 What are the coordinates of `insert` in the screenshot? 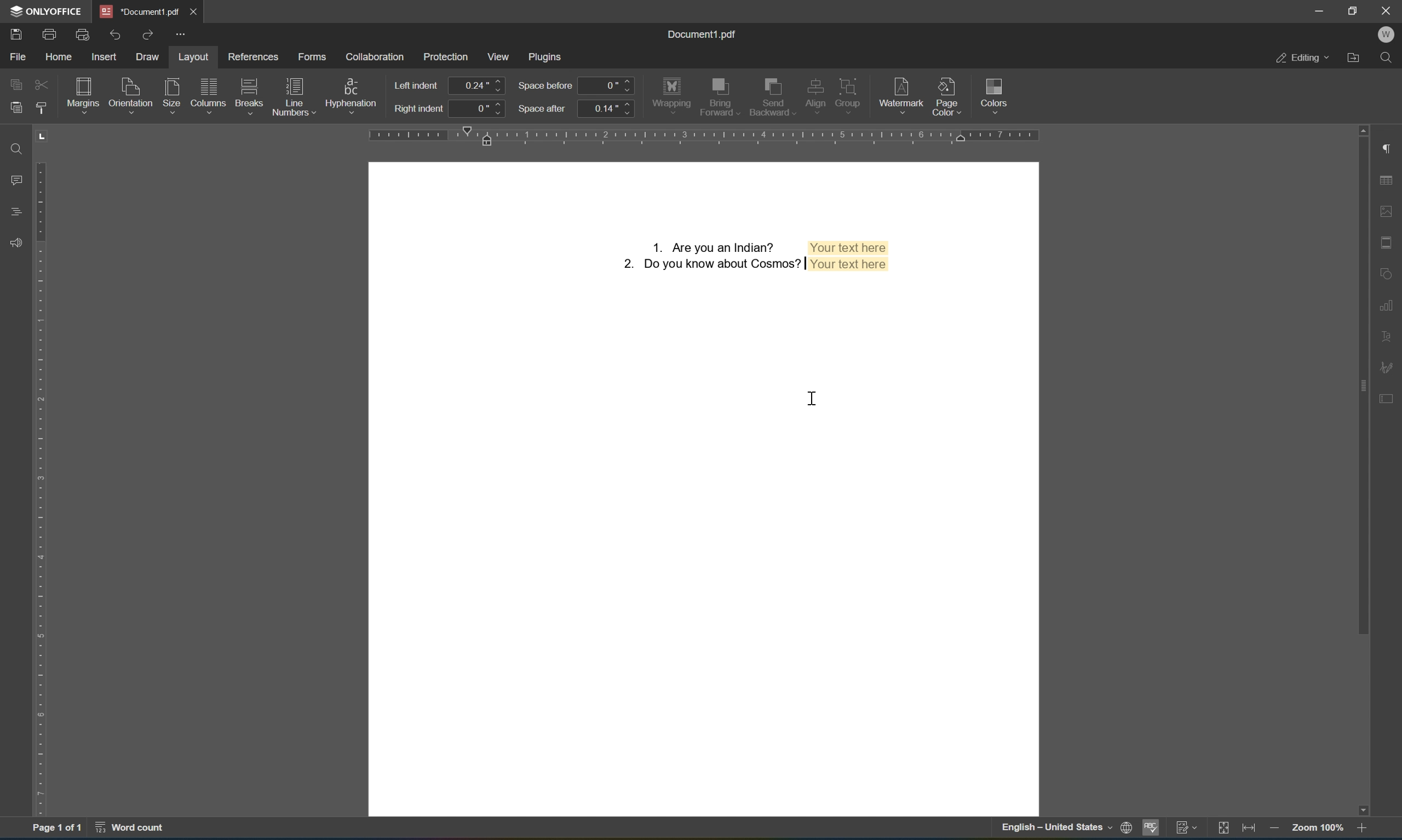 It's located at (107, 57).